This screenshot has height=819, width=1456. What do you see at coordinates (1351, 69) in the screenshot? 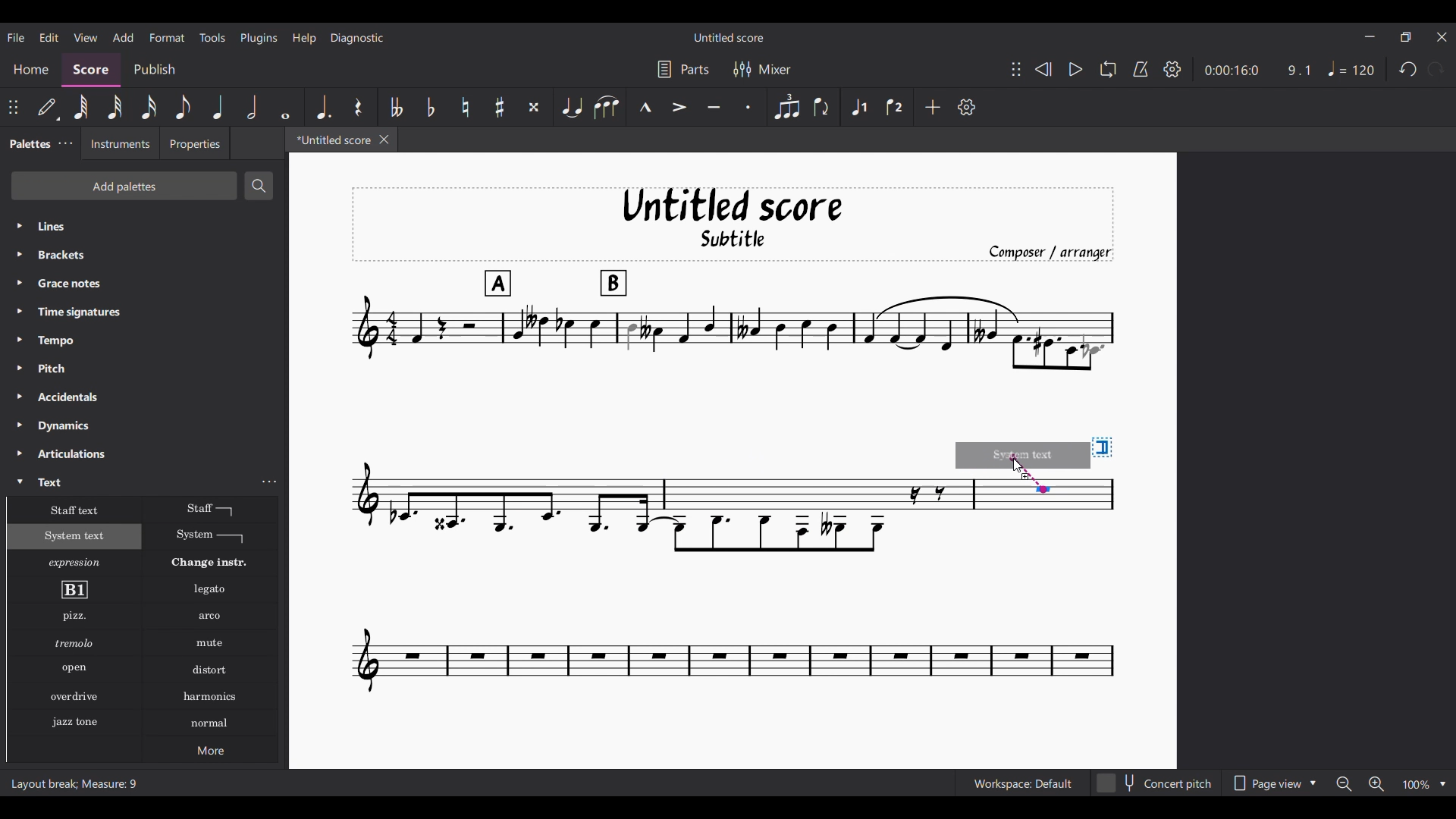
I see `Tempo` at bounding box center [1351, 69].